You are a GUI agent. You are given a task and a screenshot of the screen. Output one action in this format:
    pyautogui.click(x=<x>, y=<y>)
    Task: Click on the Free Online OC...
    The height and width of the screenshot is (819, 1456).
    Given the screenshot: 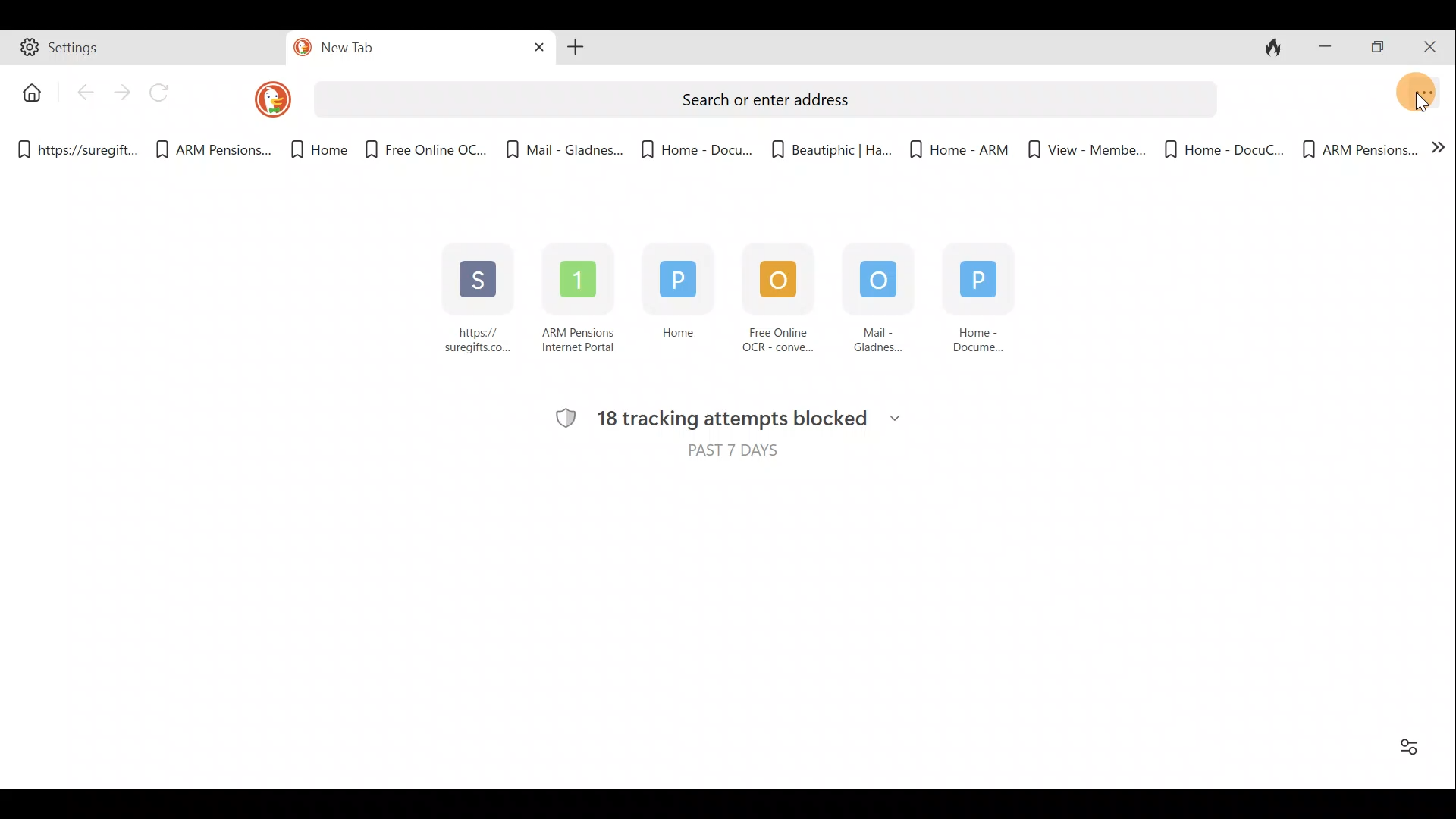 What is the action you would take?
    pyautogui.click(x=425, y=144)
    